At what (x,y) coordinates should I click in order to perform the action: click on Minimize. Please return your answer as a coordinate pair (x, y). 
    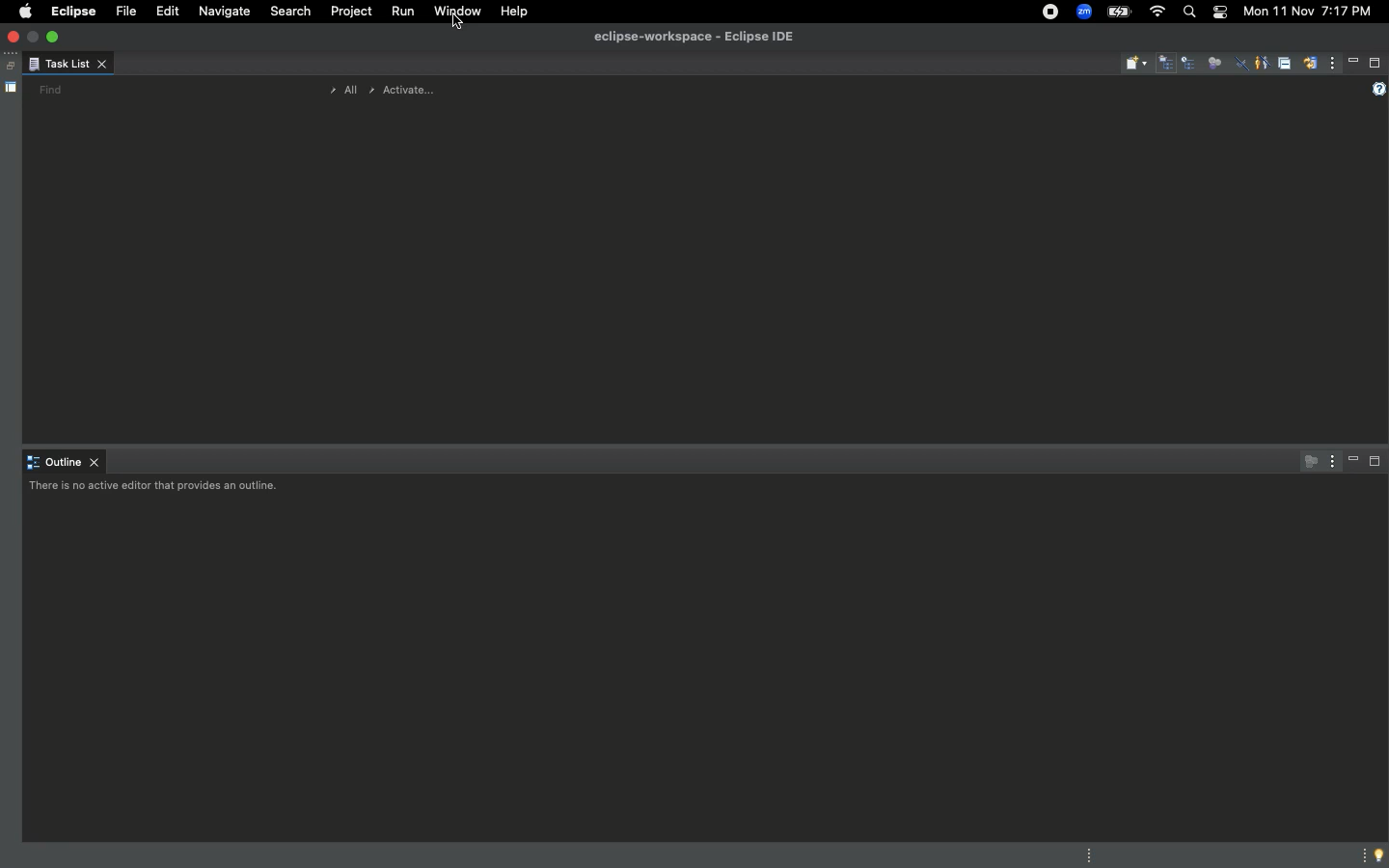
    Looking at the image, I should click on (1354, 62).